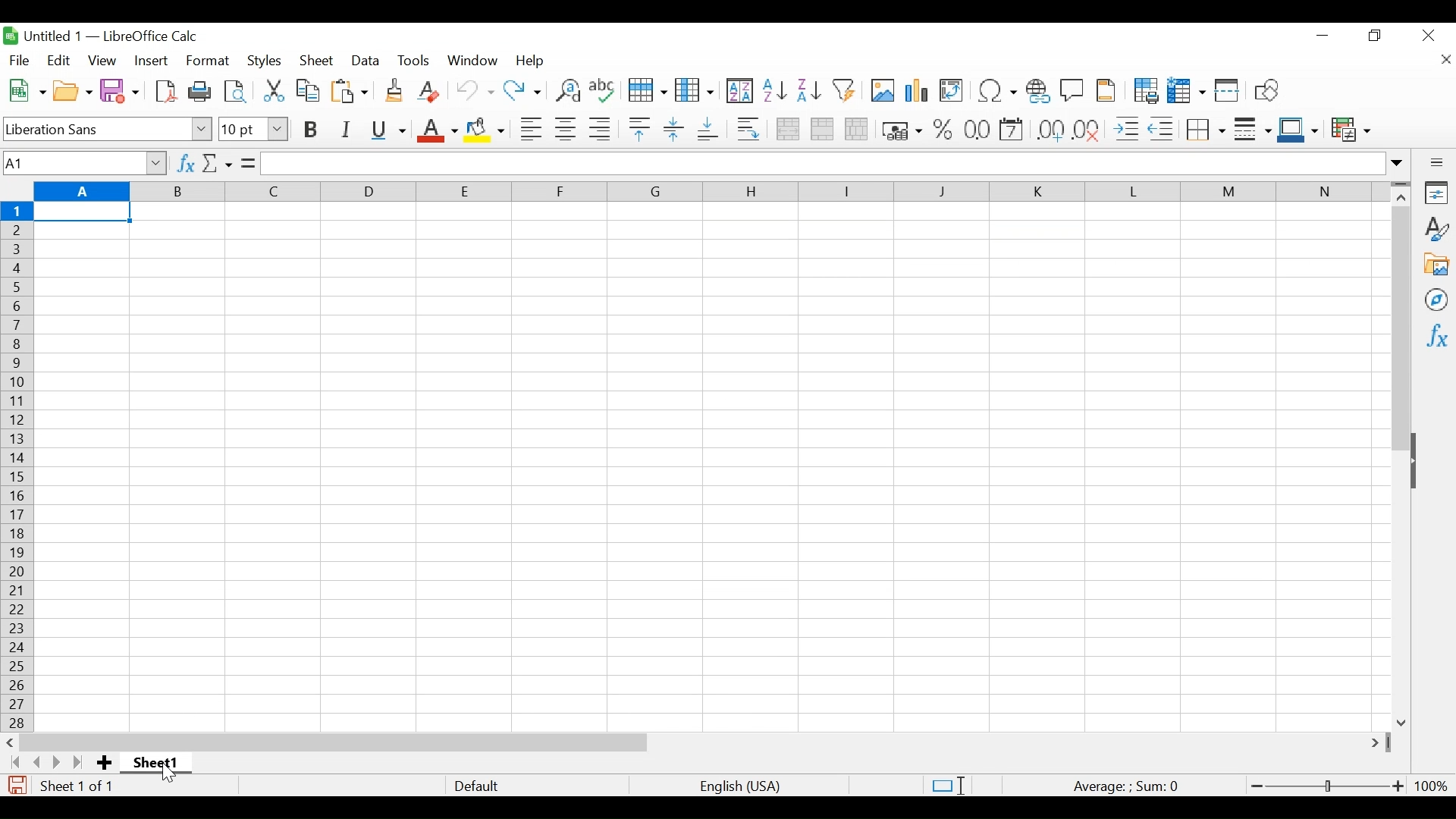 The width and height of the screenshot is (1456, 819). What do you see at coordinates (271, 89) in the screenshot?
I see `Cut` at bounding box center [271, 89].